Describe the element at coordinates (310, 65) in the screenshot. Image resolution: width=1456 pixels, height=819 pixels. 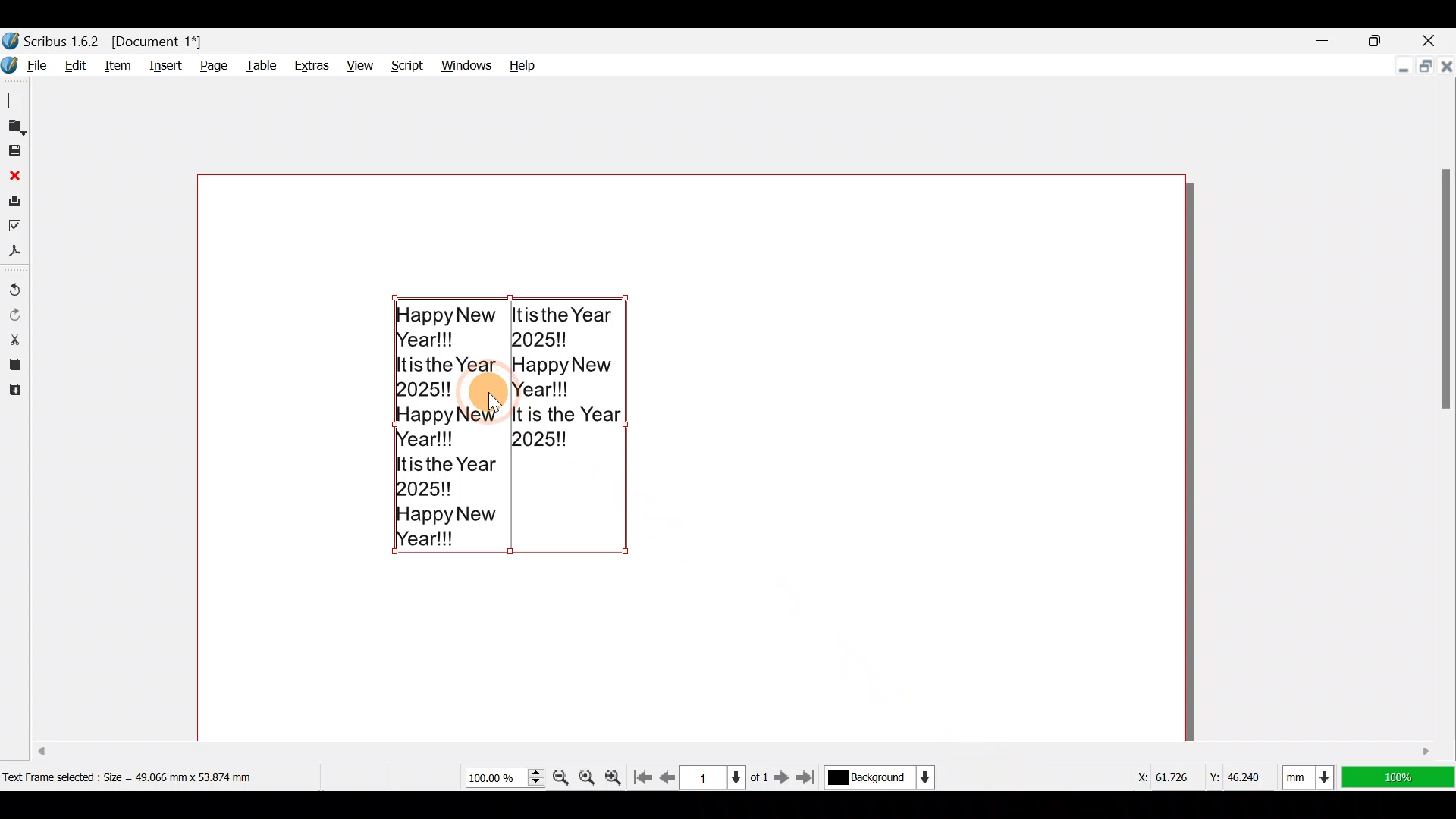
I see `Extras` at that location.